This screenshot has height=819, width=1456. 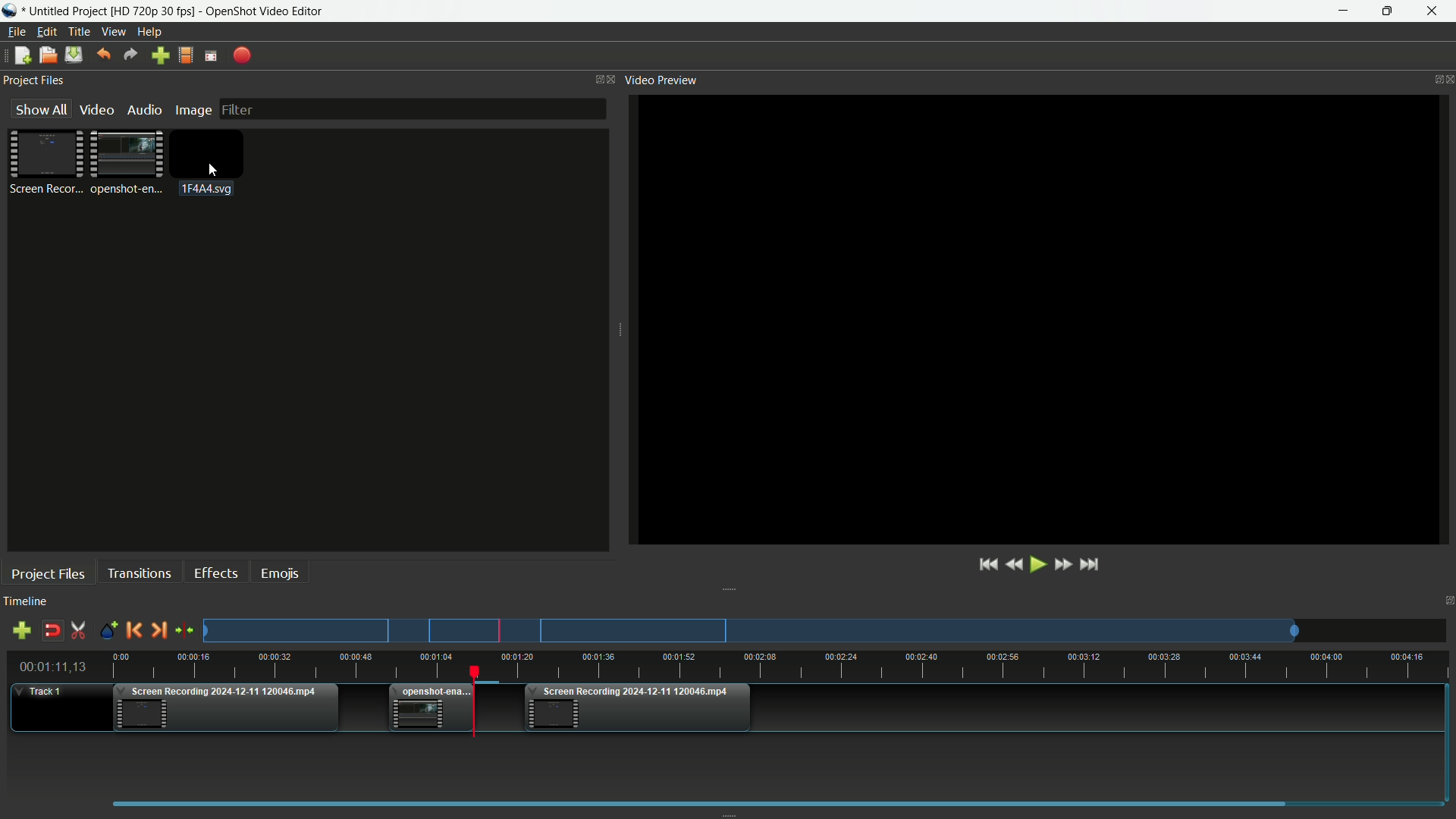 What do you see at coordinates (14, 33) in the screenshot?
I see `File menu` at bounding box center [14, 33].